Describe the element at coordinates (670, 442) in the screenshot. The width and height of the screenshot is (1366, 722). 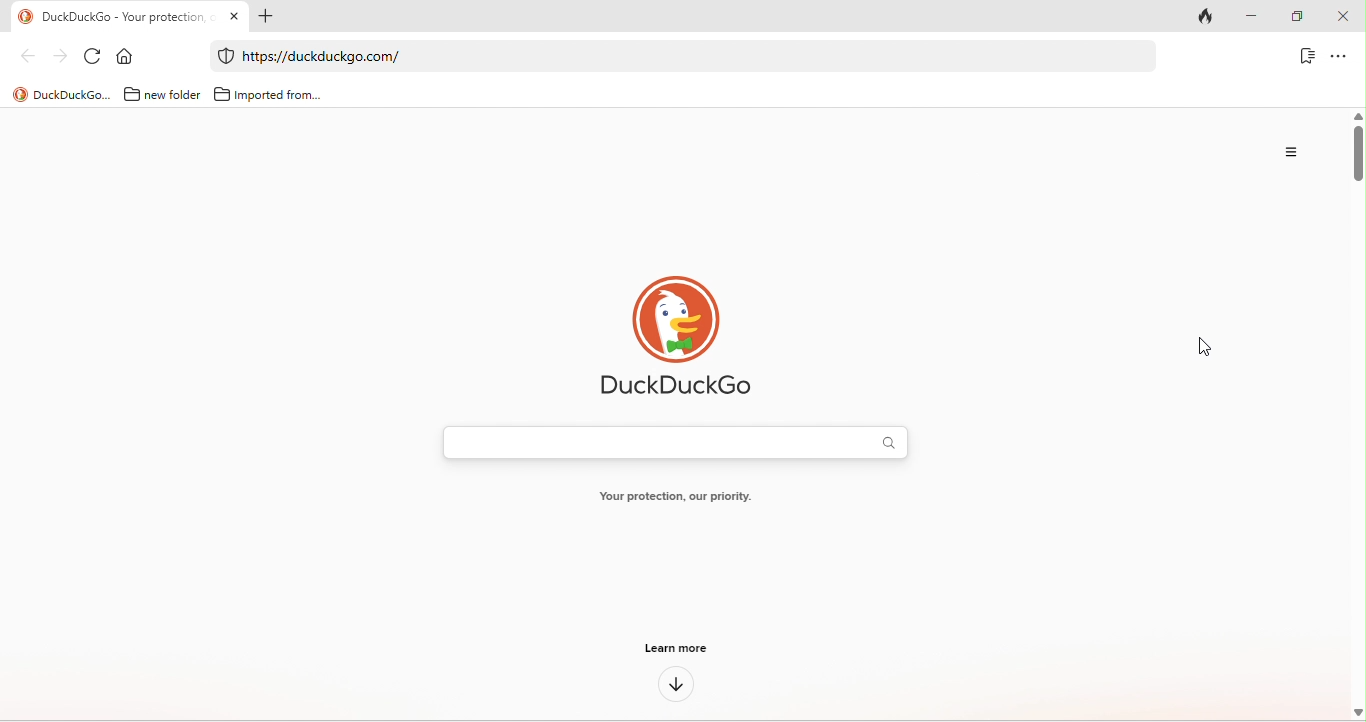
I see `search bar` at that location.